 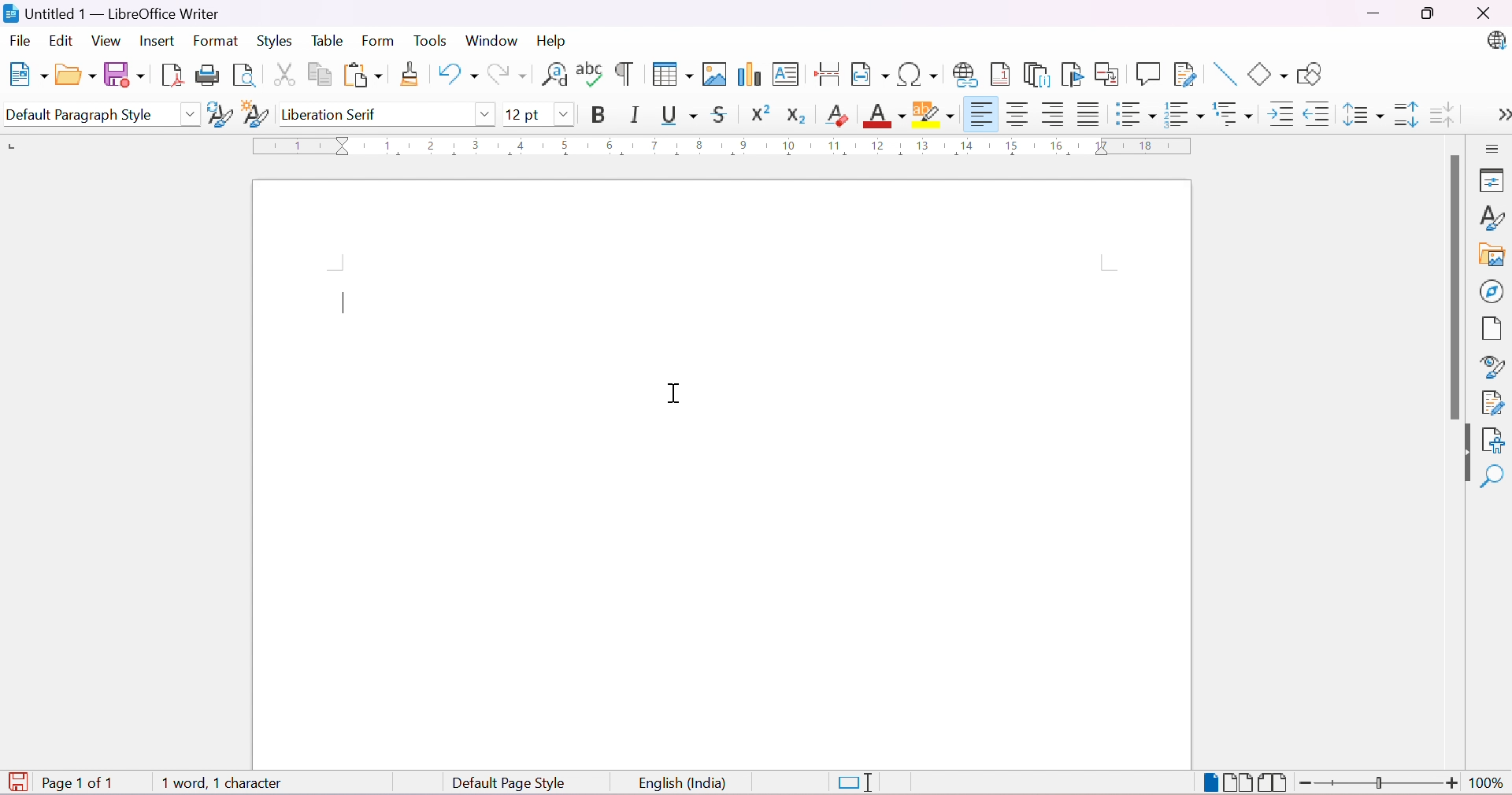 What do you see at coordinates (555, 79) in the screenshot?
I see `Find and Replace` at bounding box center [555, 79].